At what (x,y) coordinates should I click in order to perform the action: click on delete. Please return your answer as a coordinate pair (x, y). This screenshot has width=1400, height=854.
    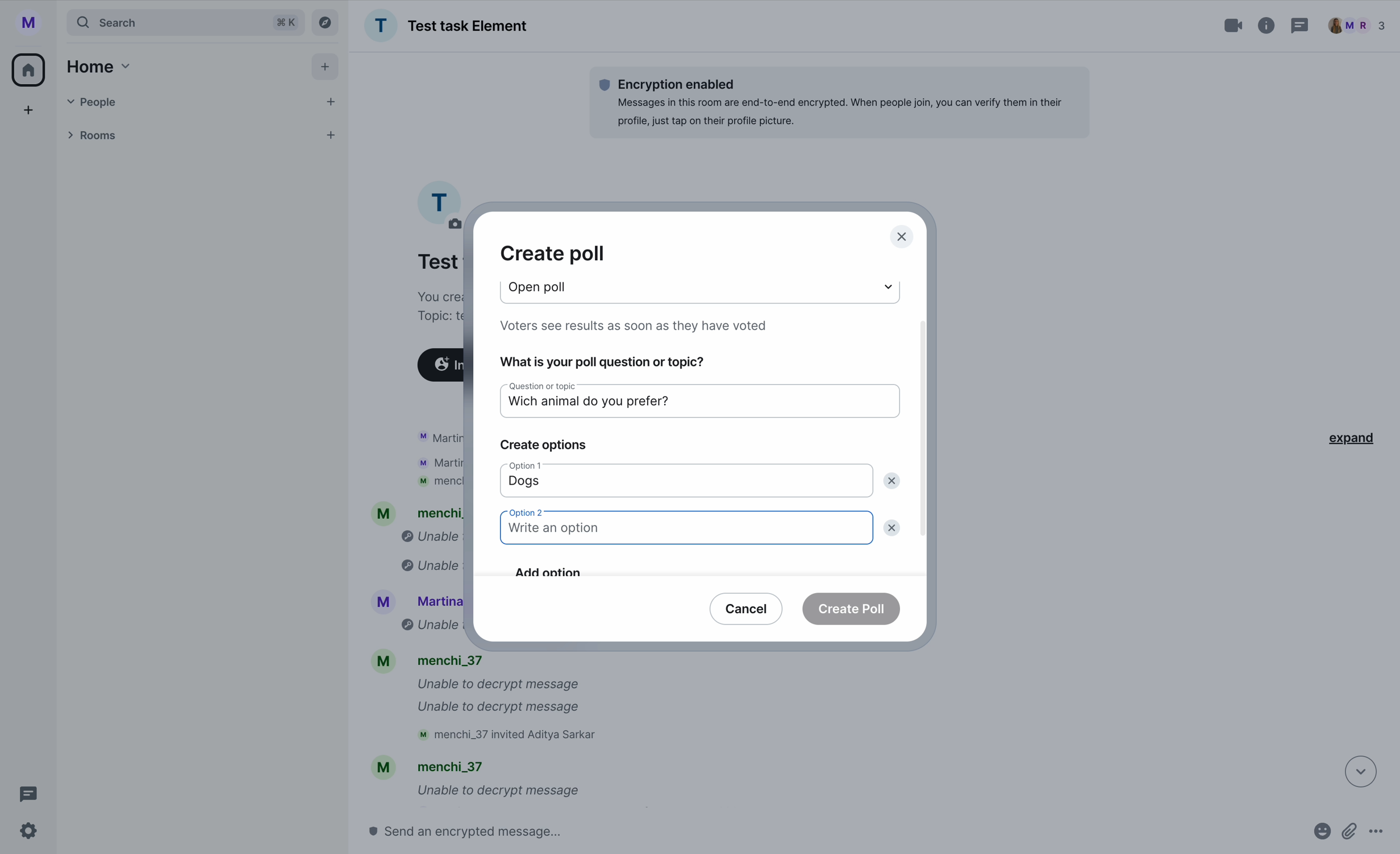
    Looking at the image, I should click on (893, 479).